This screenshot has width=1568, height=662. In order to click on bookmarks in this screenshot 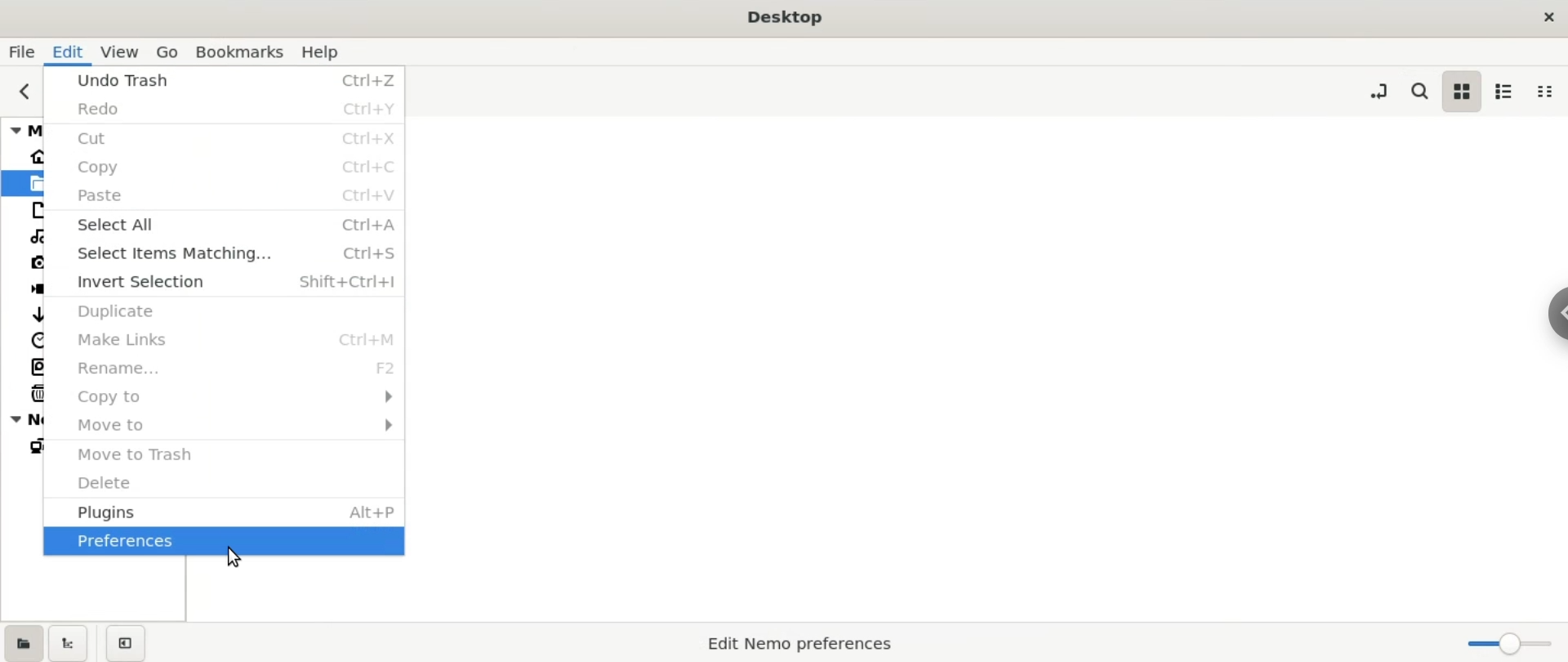, I will do `click(238, 51)`.